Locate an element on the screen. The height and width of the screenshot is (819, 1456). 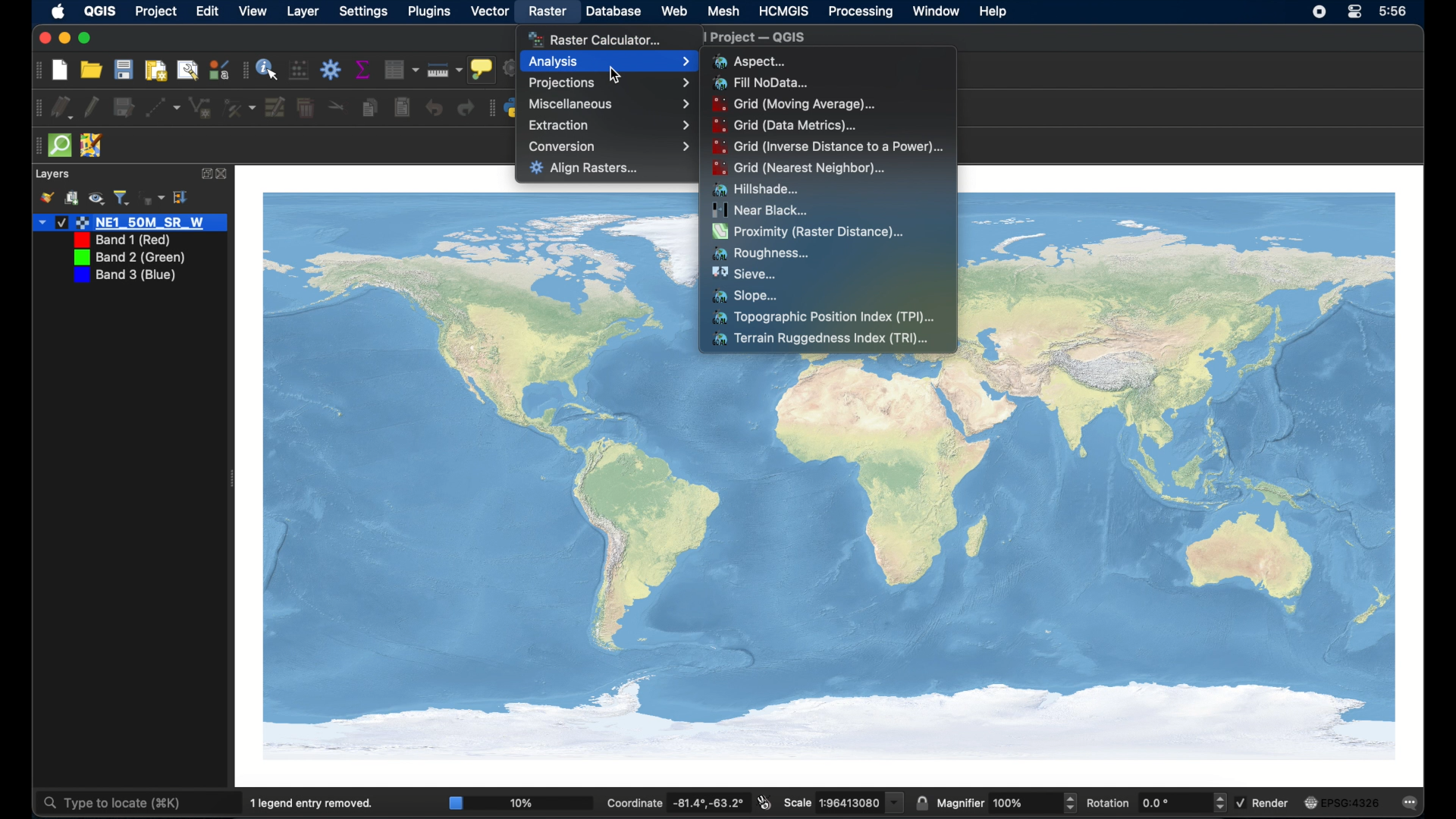
minimize  is located at coordinates (61, 39).